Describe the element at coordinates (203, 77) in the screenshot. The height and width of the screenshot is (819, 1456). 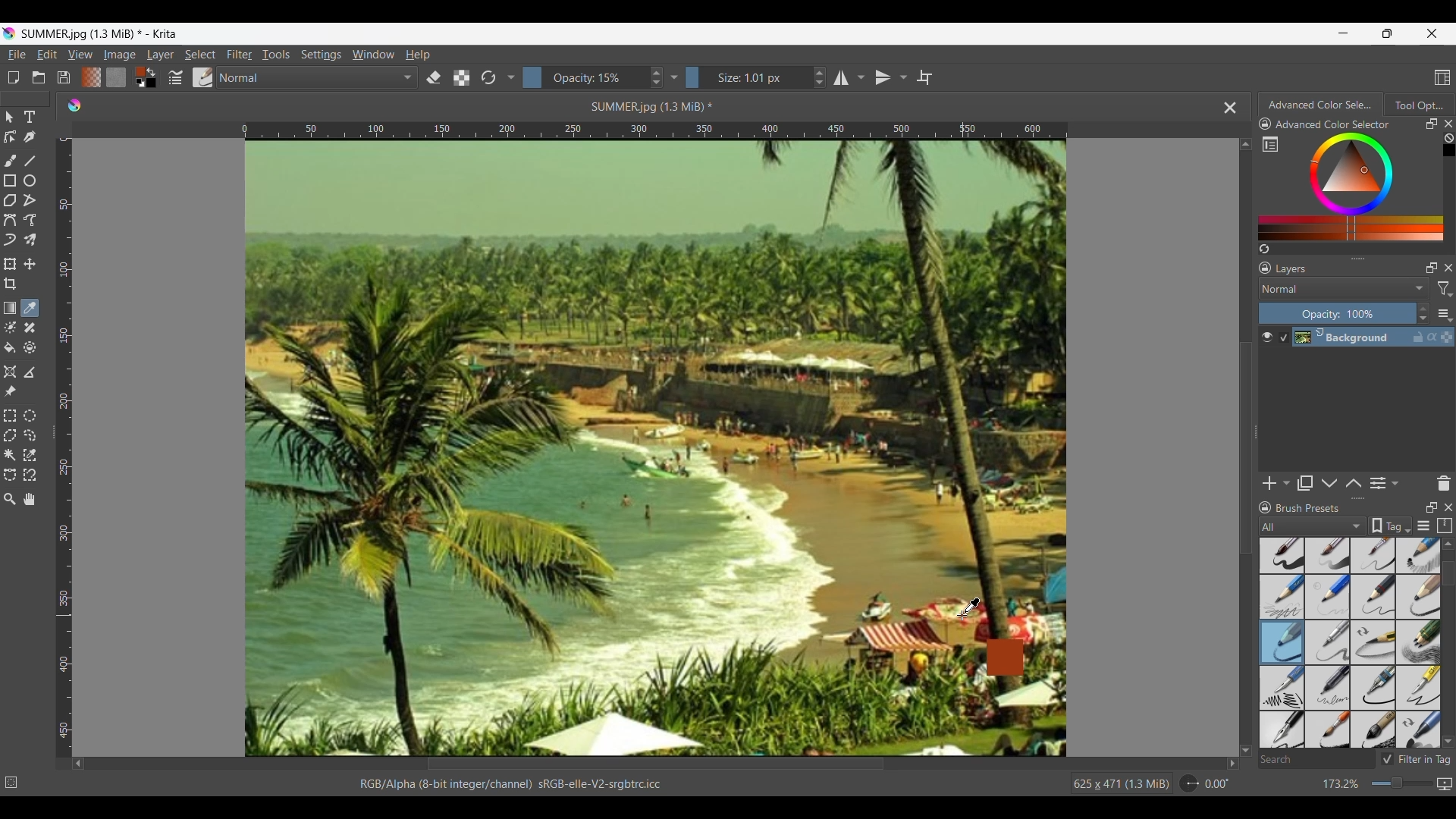
I see `Choose brush preset` at that location.